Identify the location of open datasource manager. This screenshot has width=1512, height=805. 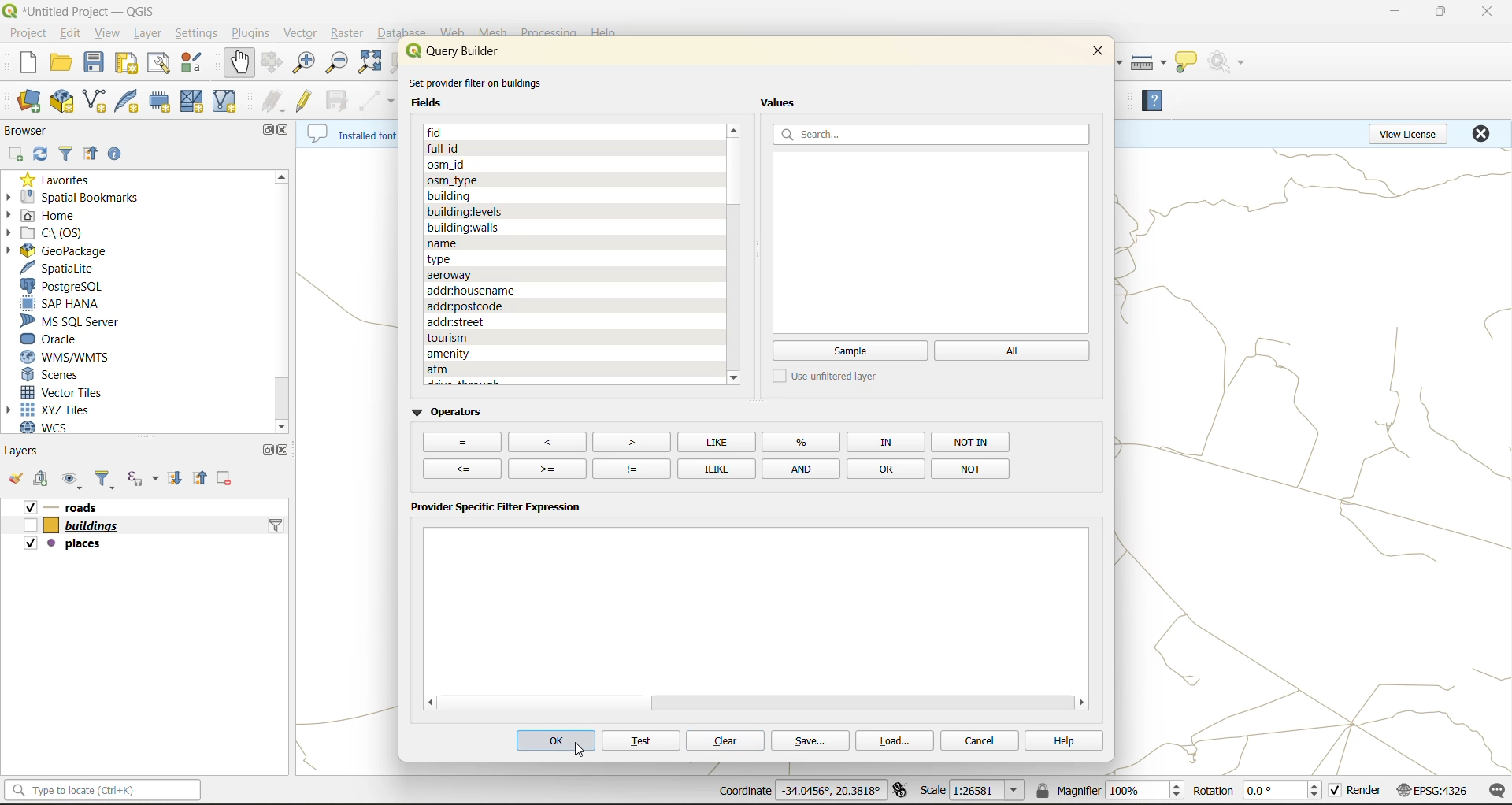
(22, 98).